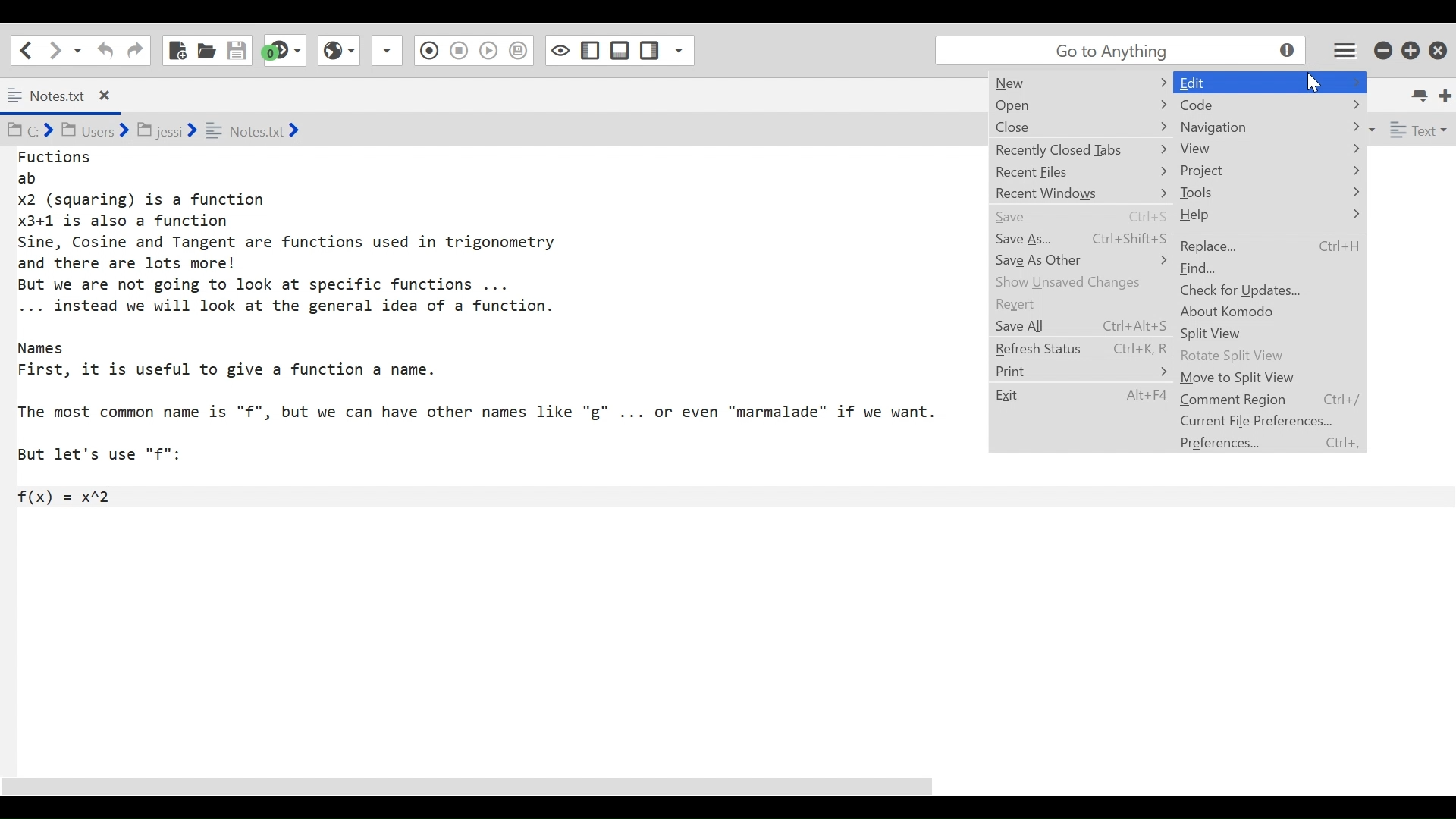  I want to click on Recording Macro, so click(388, 50).